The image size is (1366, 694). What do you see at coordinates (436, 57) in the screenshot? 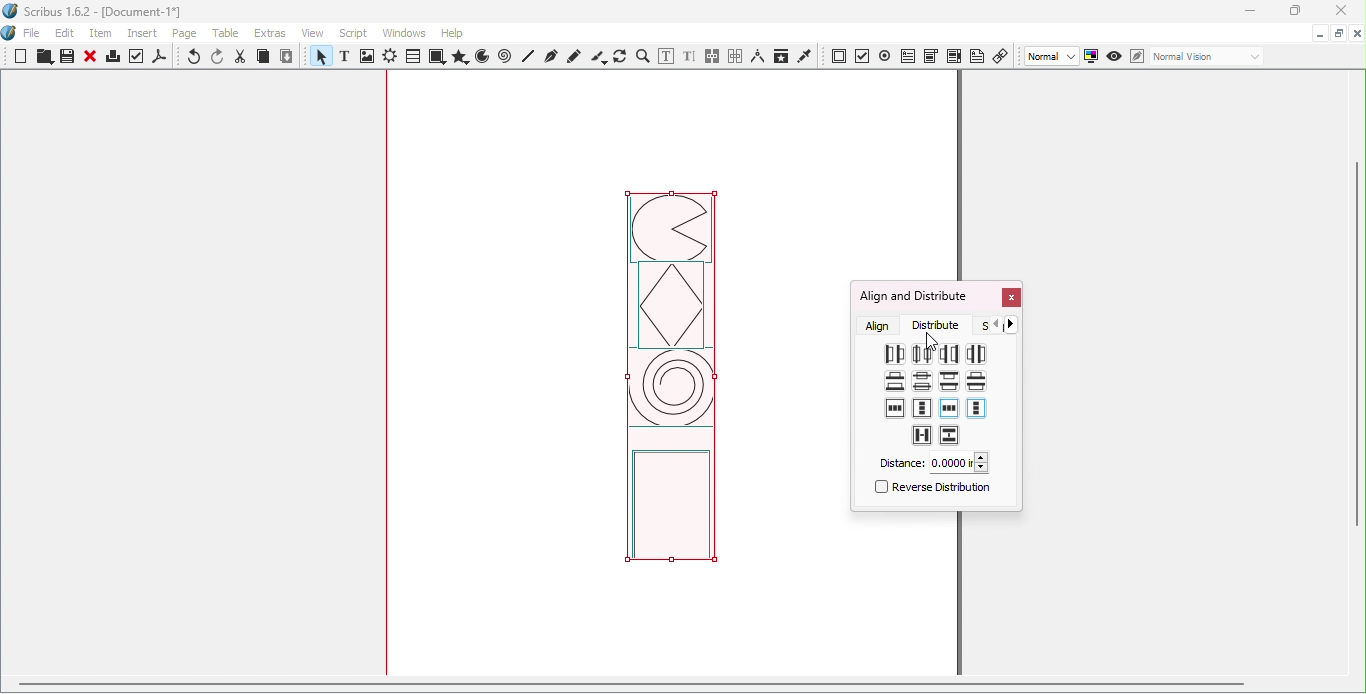
I see `Shapes` at bounding box center [436, 57].